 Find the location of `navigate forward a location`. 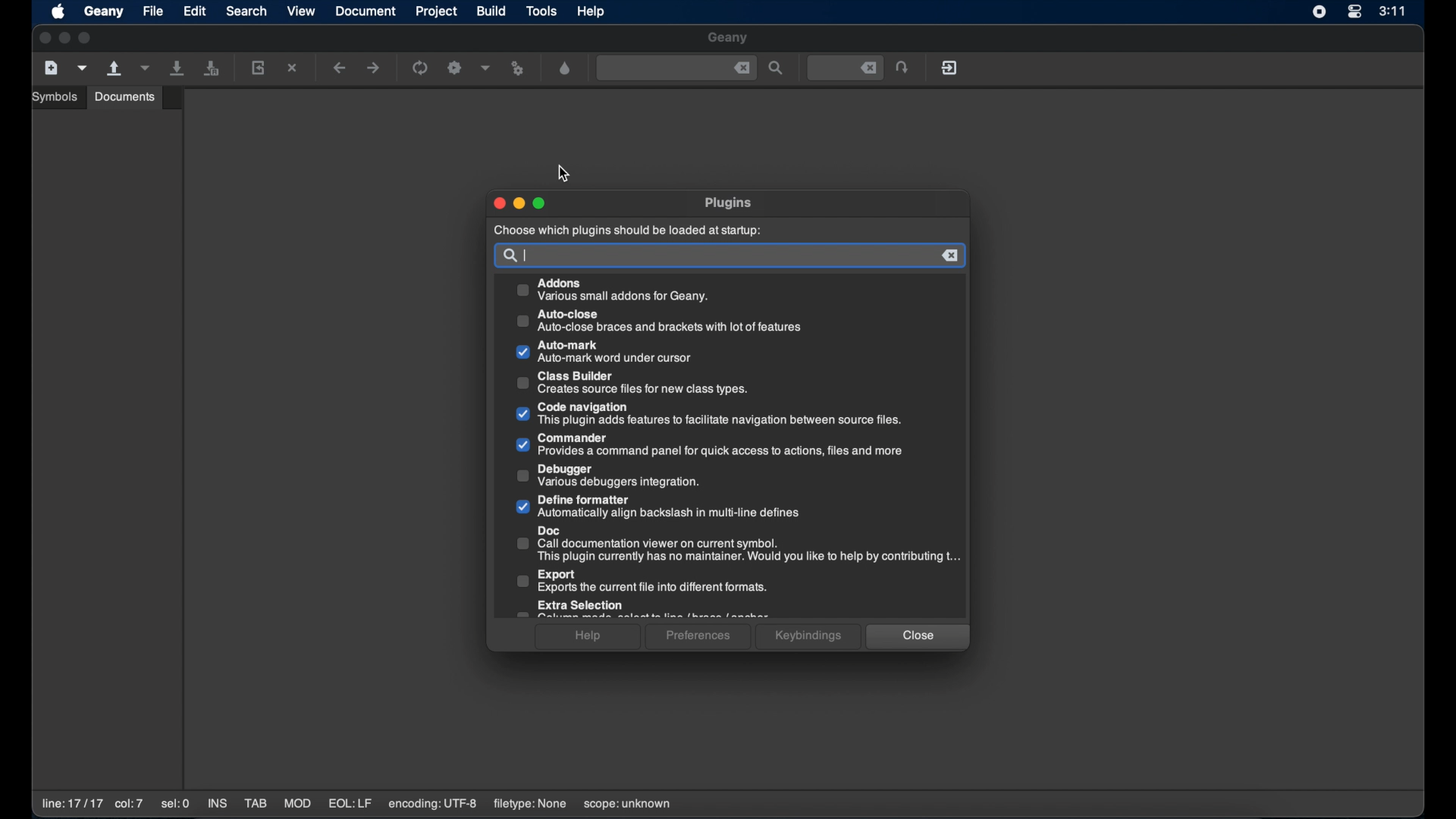

navigate forward a location is located at coordinates (374, 68).